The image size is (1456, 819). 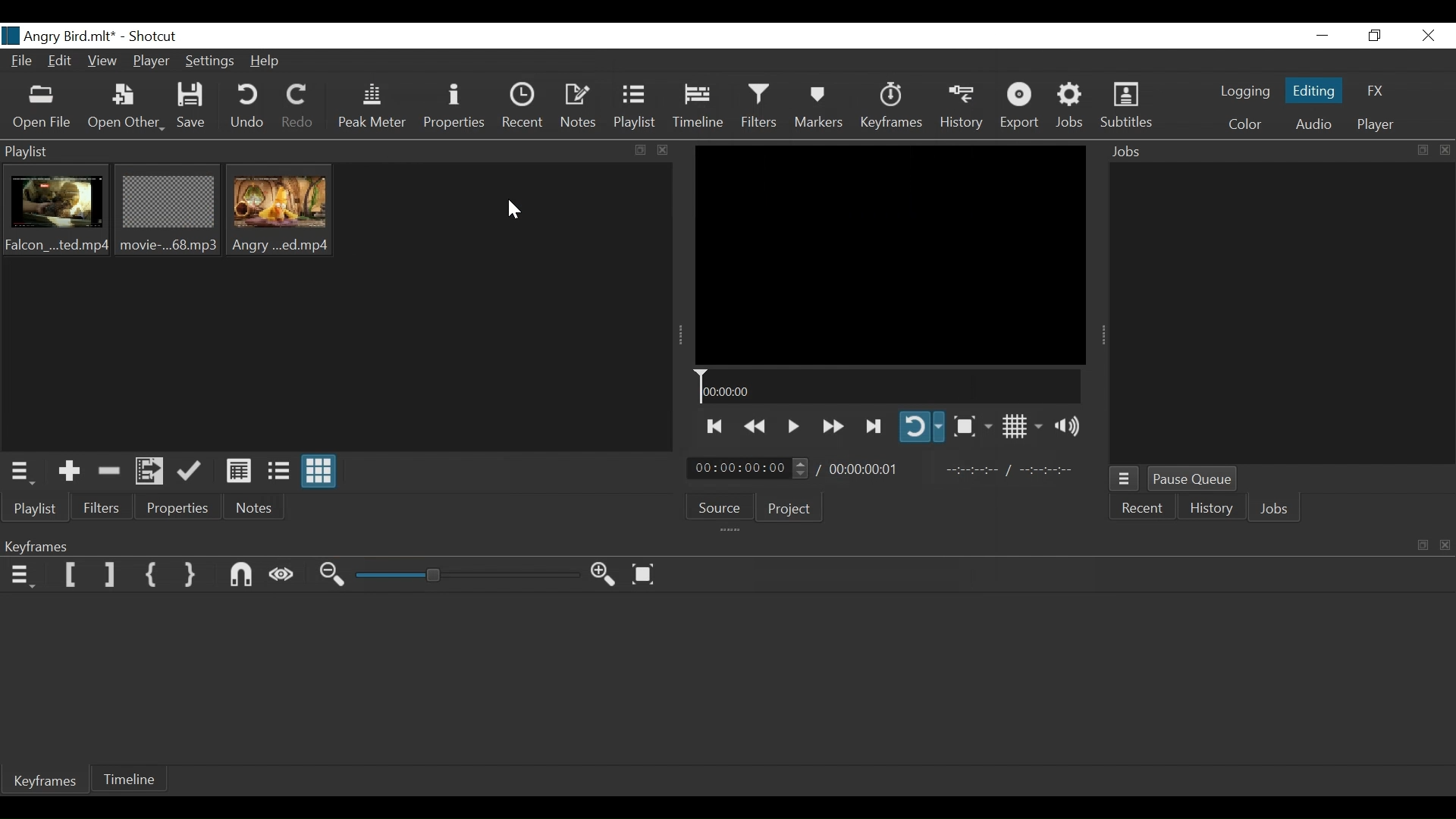 I want to click on Zoom Keyframe in, so click(x=606, y=575).